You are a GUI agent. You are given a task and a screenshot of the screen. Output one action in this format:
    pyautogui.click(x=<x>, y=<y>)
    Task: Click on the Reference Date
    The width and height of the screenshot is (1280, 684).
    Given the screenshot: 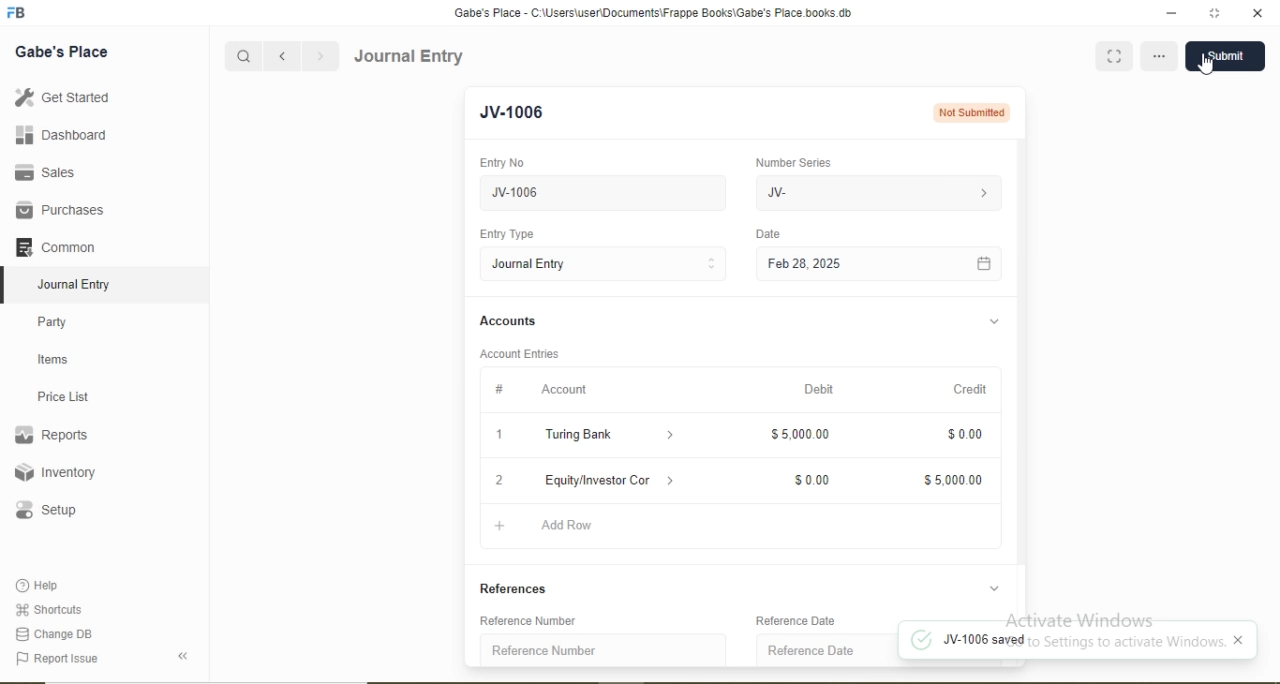 What is the action you would take?
    pyautogui.click(x=812, y=650)
    